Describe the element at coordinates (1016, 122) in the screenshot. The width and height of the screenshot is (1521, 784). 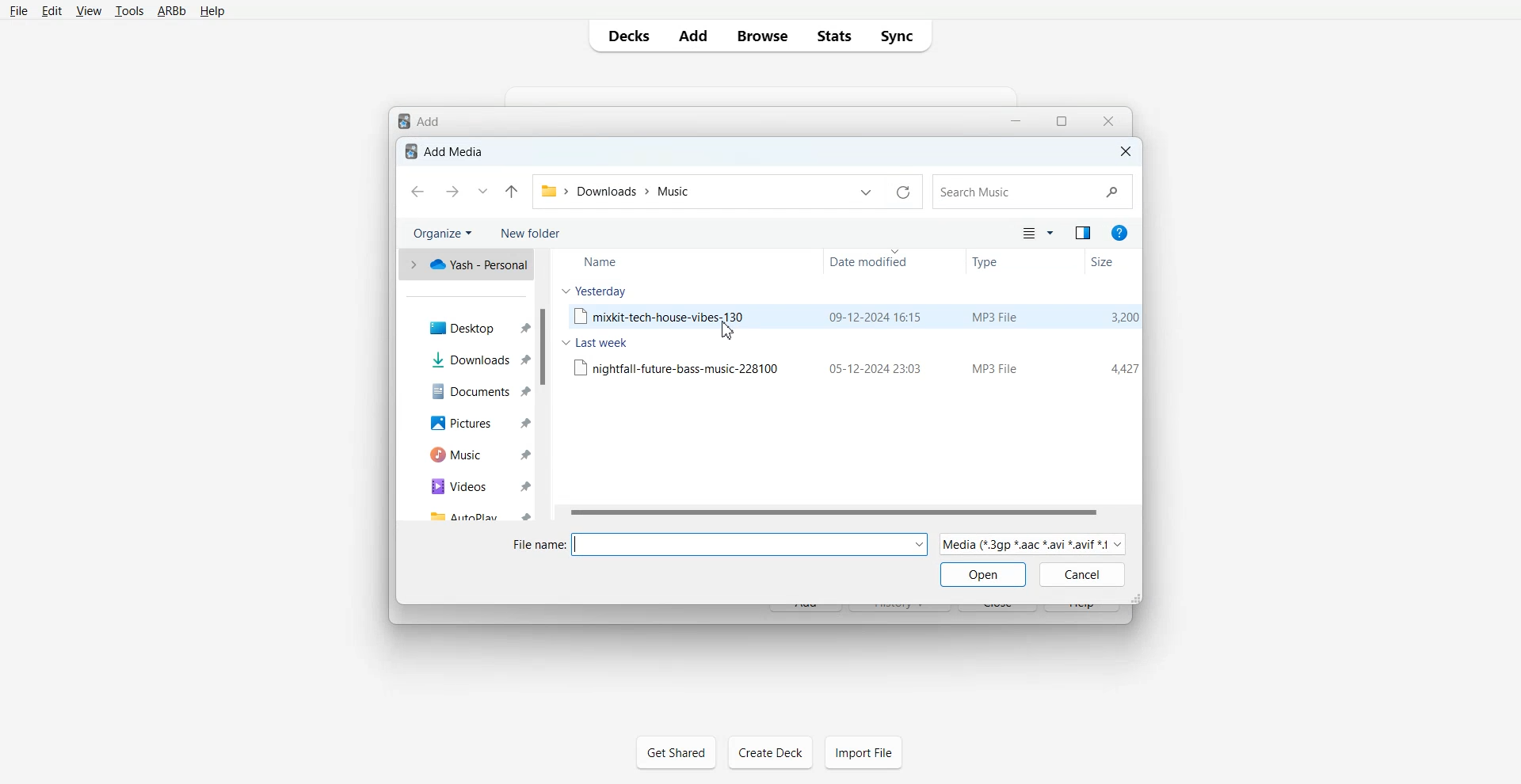
I see `Minimize` at that location.